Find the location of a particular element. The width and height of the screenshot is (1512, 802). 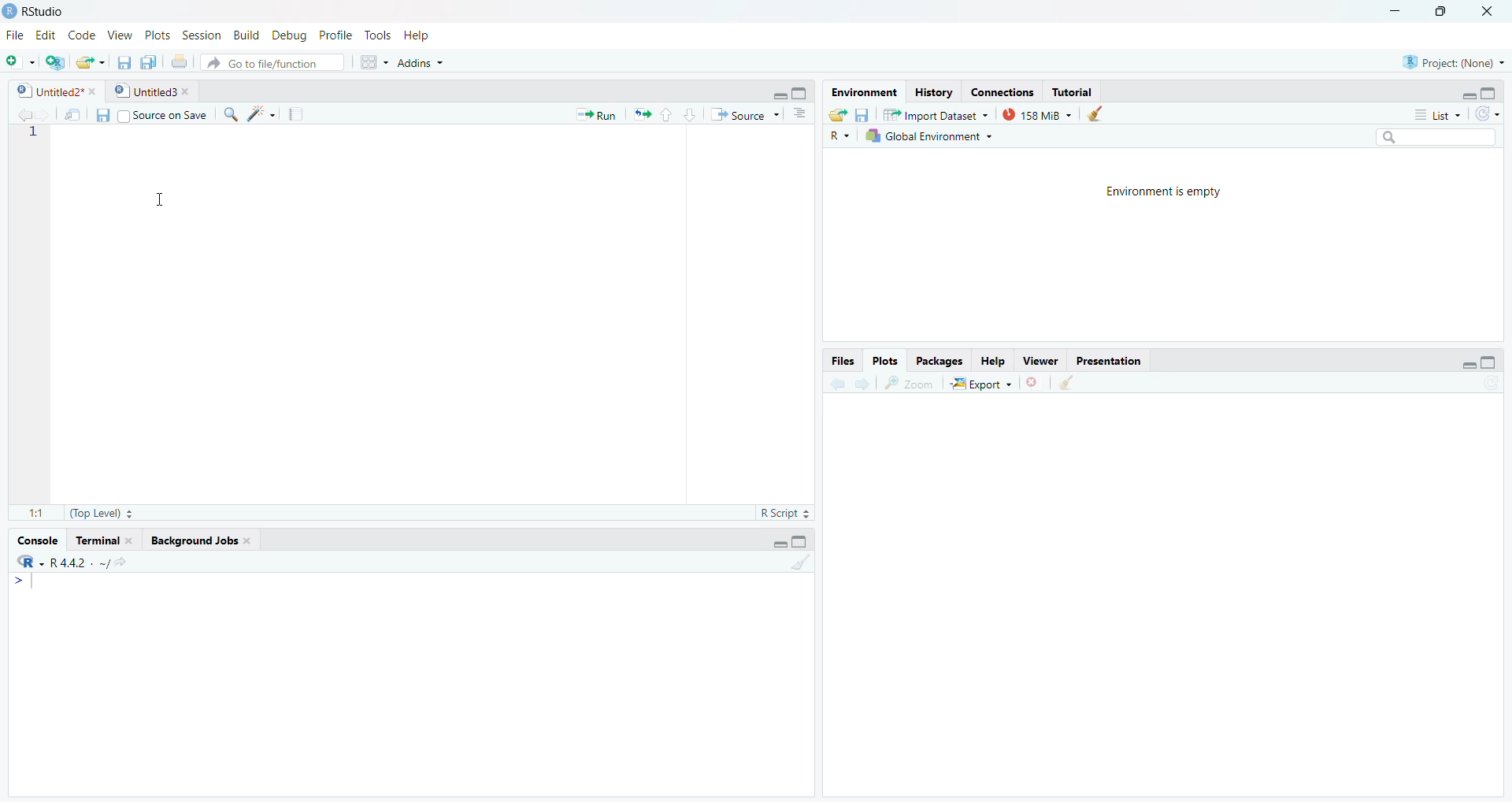

Code is located at coordinates (83, 34).